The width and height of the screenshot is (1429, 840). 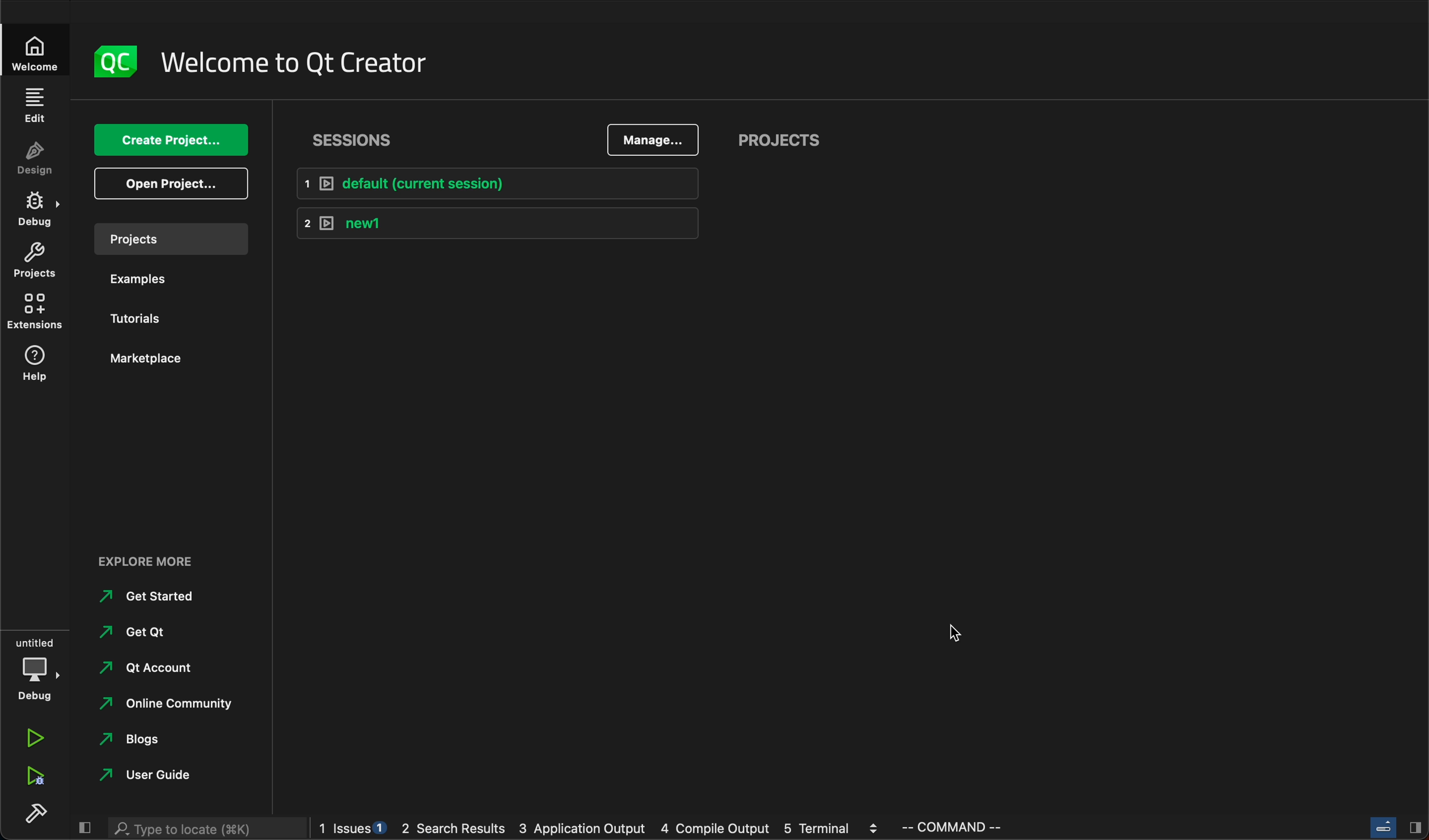 What do you see at coordinates (88, 826) in the screenshot?
I see `close slide bar` at bounding box center [88, 826].